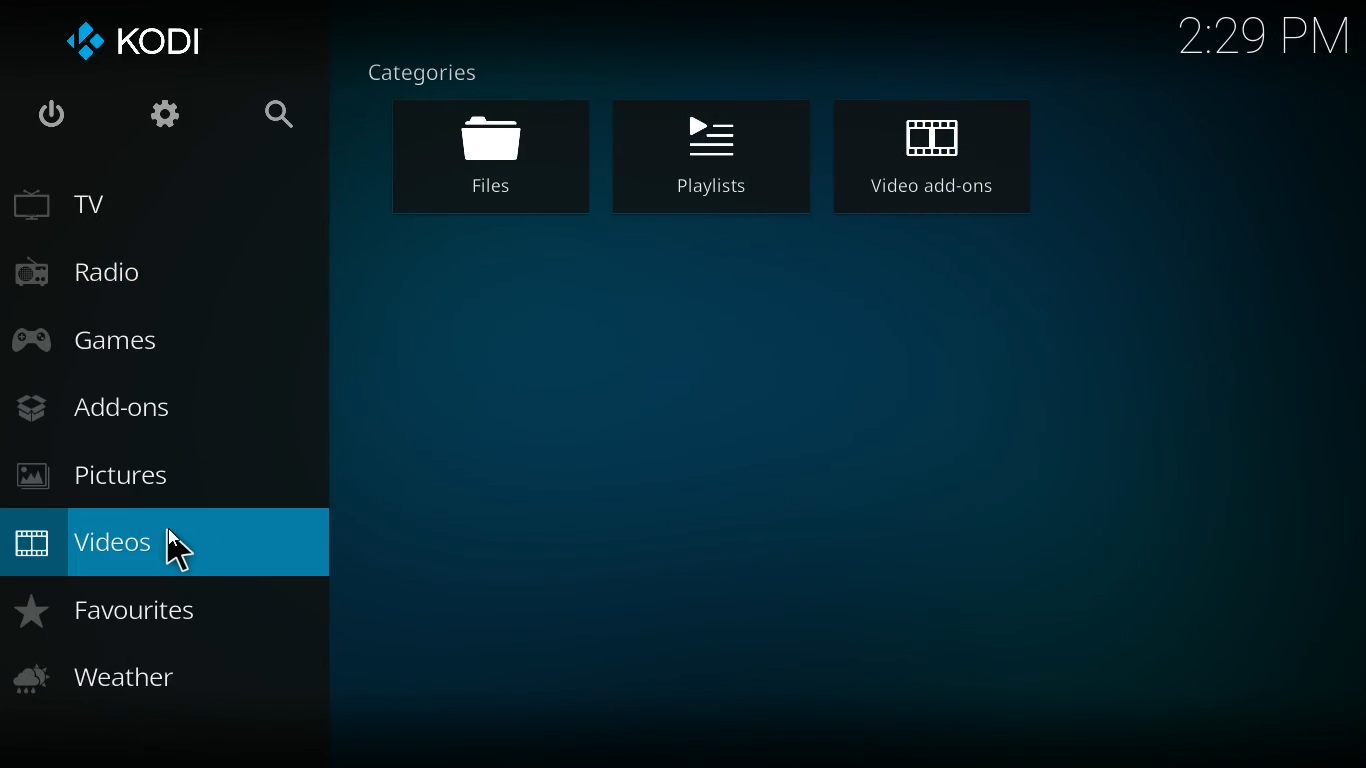  I want to click on favorites, so click(158, 609).